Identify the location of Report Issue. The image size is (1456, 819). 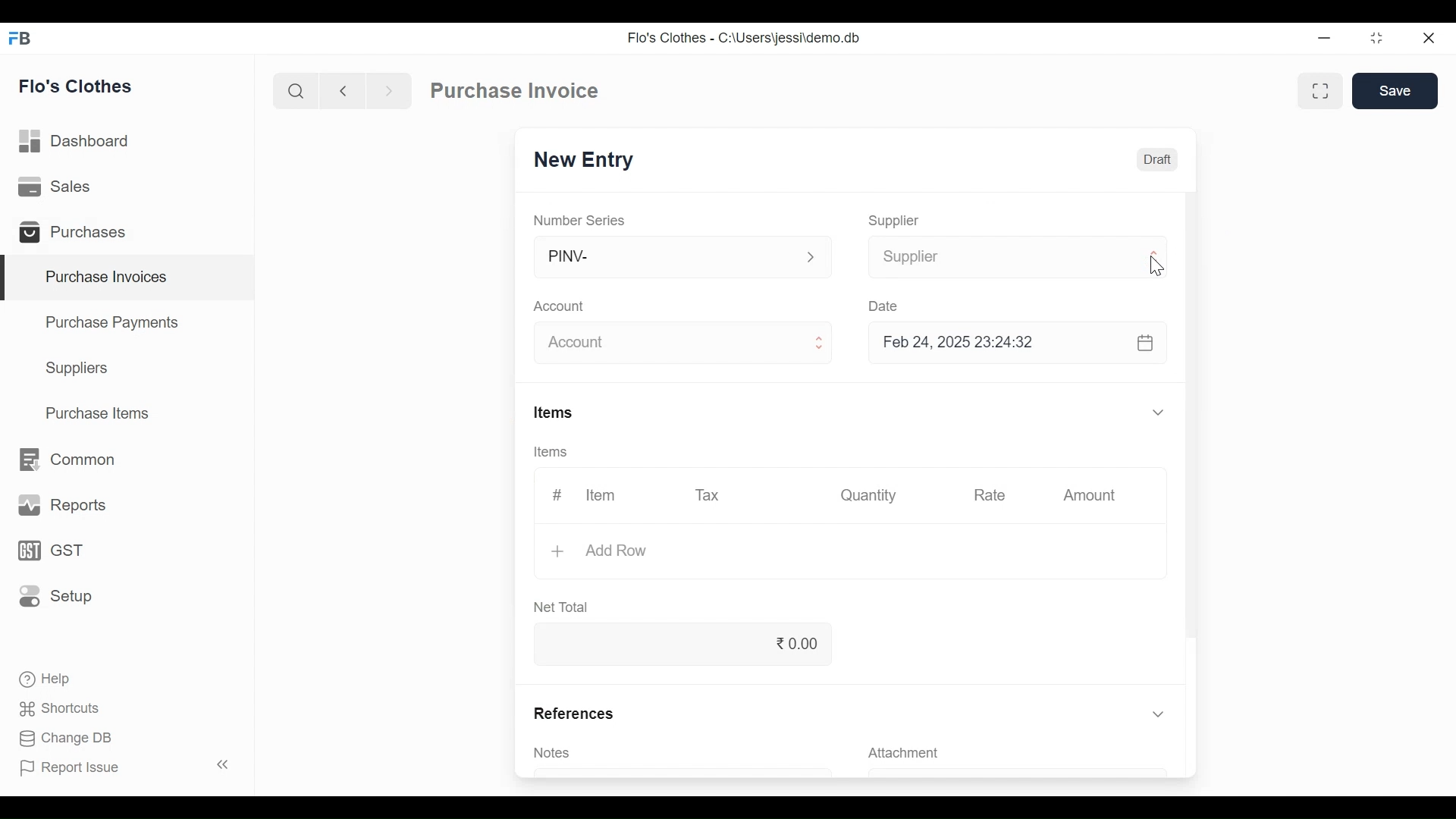
(126, 766).